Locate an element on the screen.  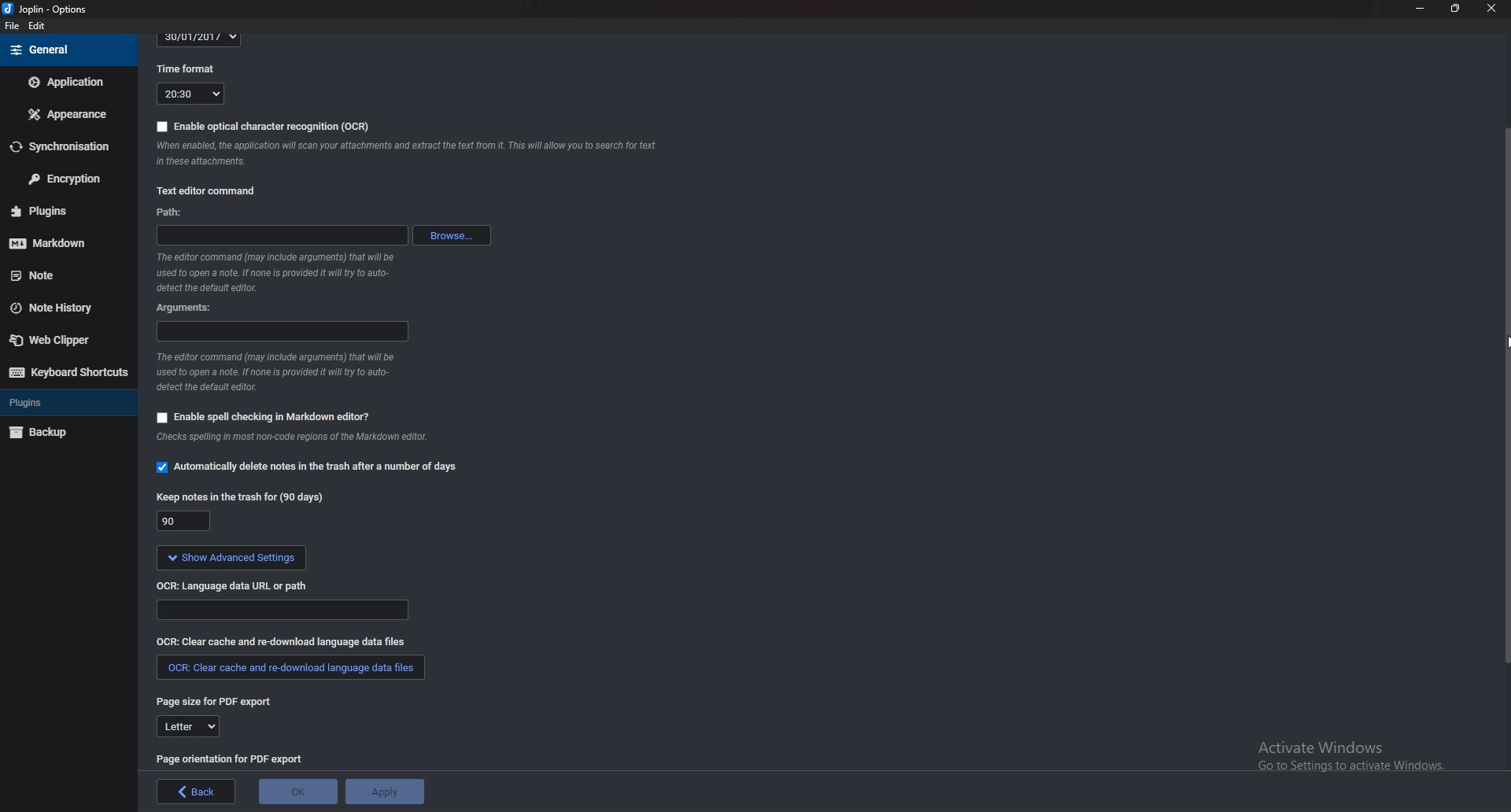
back is located at coordinates (197, 792).